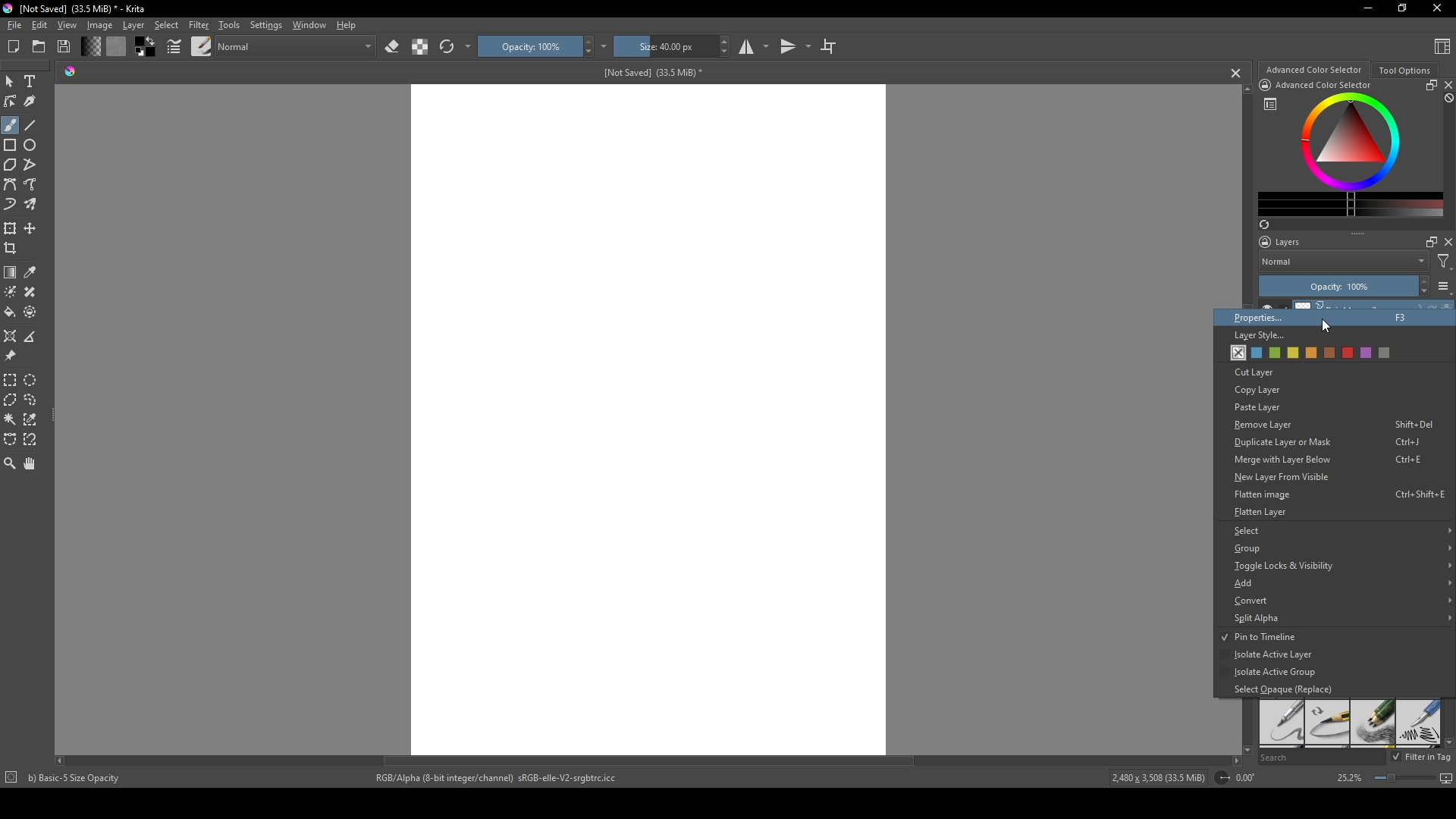 Image resolution: width=1456 pixels, height=819 pixels. I want to click on View, so click(67, 25).